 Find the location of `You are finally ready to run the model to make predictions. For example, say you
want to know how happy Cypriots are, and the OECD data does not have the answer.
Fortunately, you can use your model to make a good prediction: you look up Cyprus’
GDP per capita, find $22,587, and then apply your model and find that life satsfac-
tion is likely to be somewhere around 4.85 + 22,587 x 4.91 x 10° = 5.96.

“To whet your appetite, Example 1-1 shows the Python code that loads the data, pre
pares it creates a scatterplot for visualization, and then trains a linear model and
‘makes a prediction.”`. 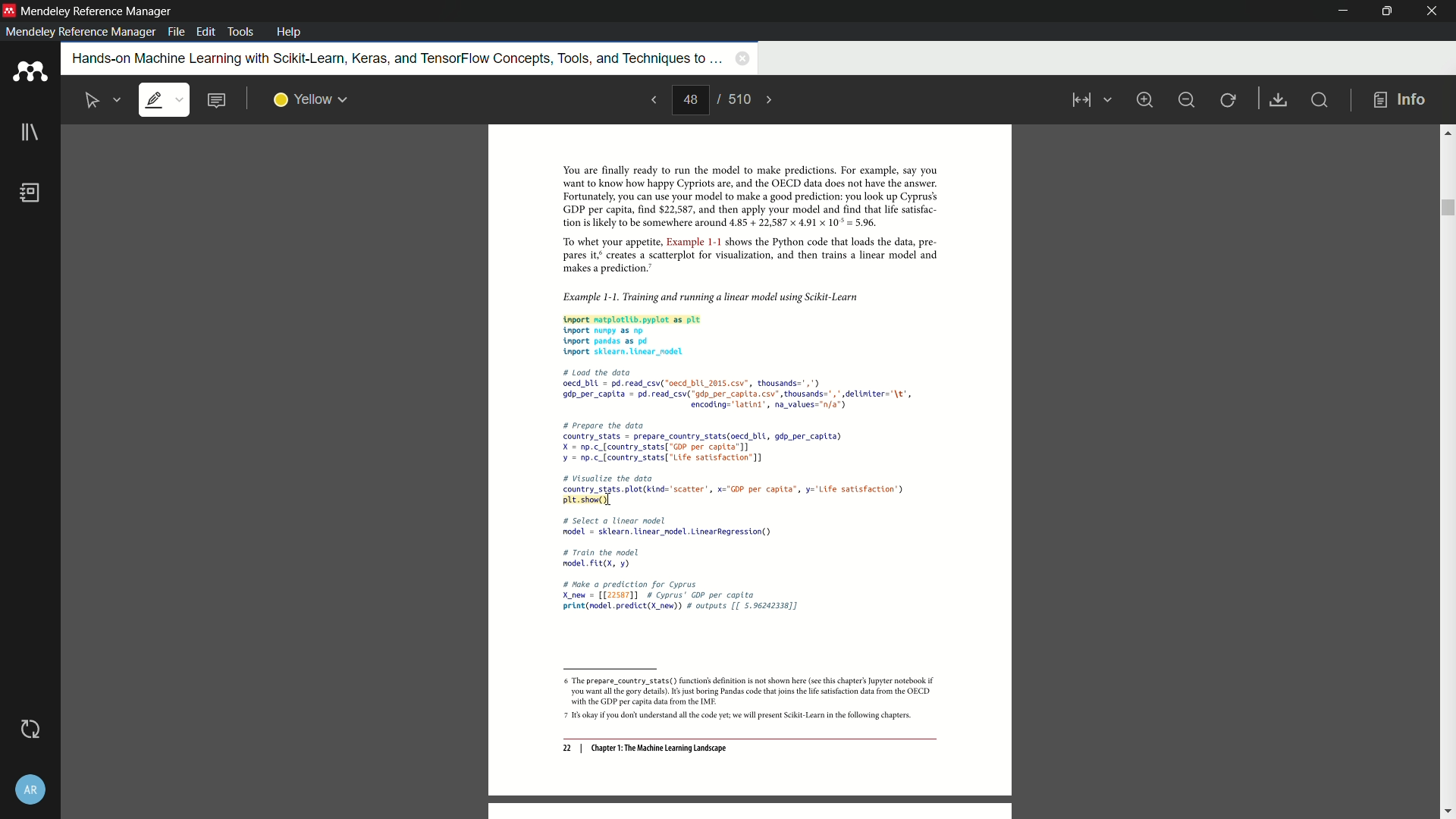

You are finally ready to run the model to make predictions. For example, say you
want to know how happy Cypriots are, and the OECD data does not have the answer.
Fortunately, you can use your model to make a good prediction: you look up Cyprus’
GDP per capita, find $22,587, and then apply your model and find that life satsfac-
tion is likely to be somewhere around 4.85 + 22,587 x 4.91 x 10° = 5.96.

“To whet your appetite, Example 1-1 shows the Python code that loads the data, pre
pares it creates a scatterplot for visualization, and then trains a linear model and
‘makes a prediction.” is located at coordinates (741, 220).